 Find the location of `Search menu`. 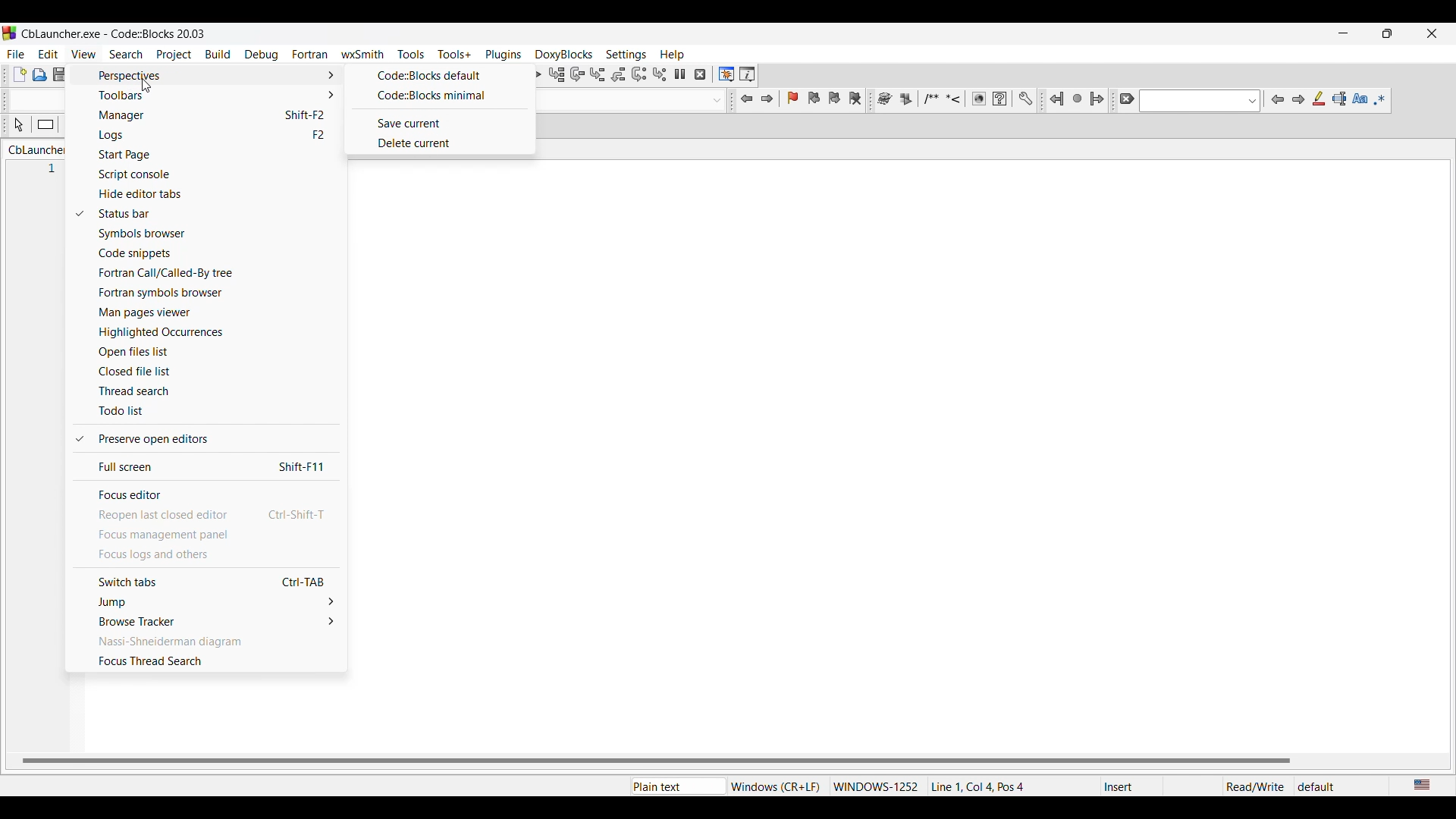

Search menu is located at coordinates (127, 54).